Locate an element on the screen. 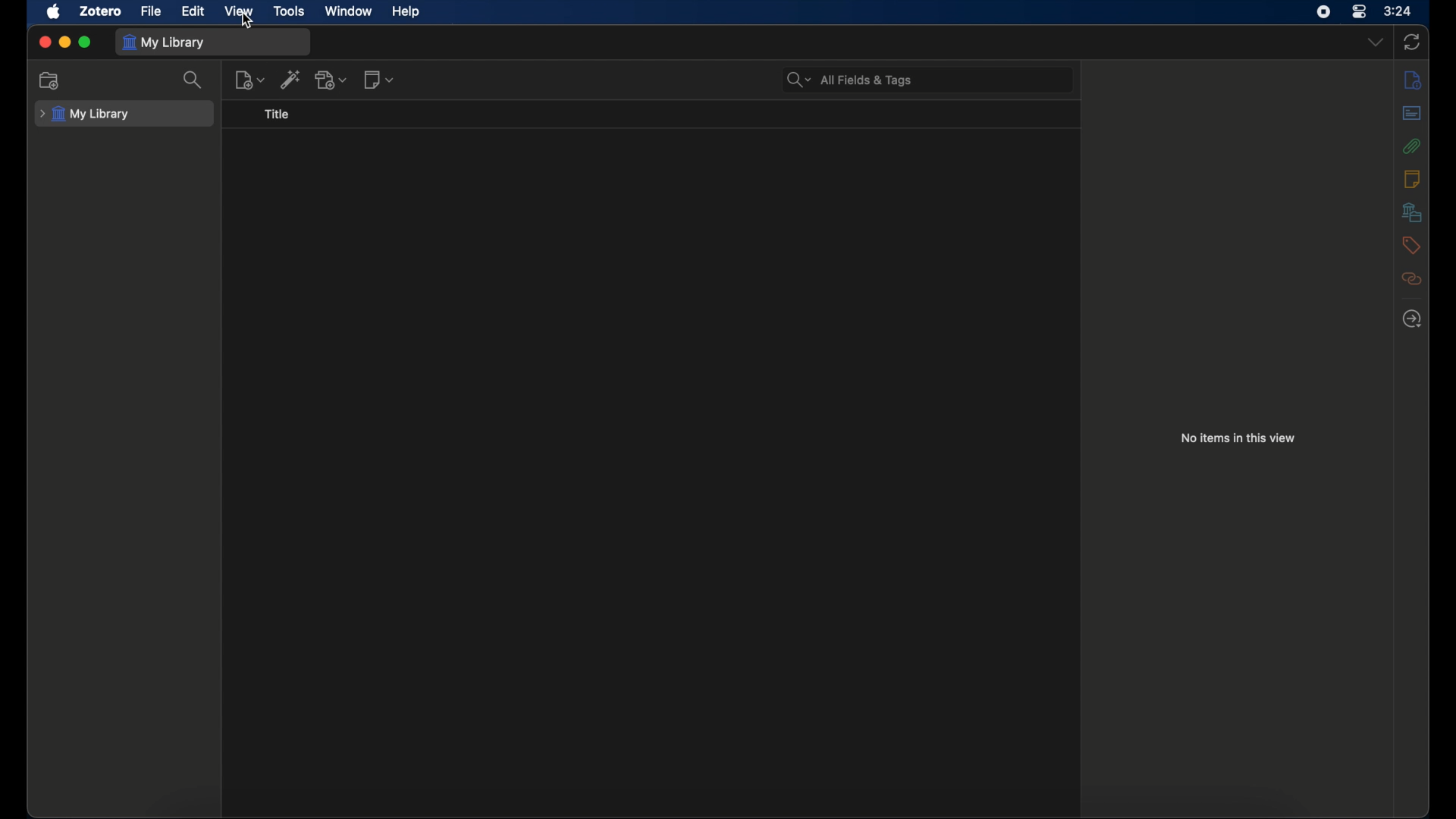  minimize is located at coordinates (65, 42).